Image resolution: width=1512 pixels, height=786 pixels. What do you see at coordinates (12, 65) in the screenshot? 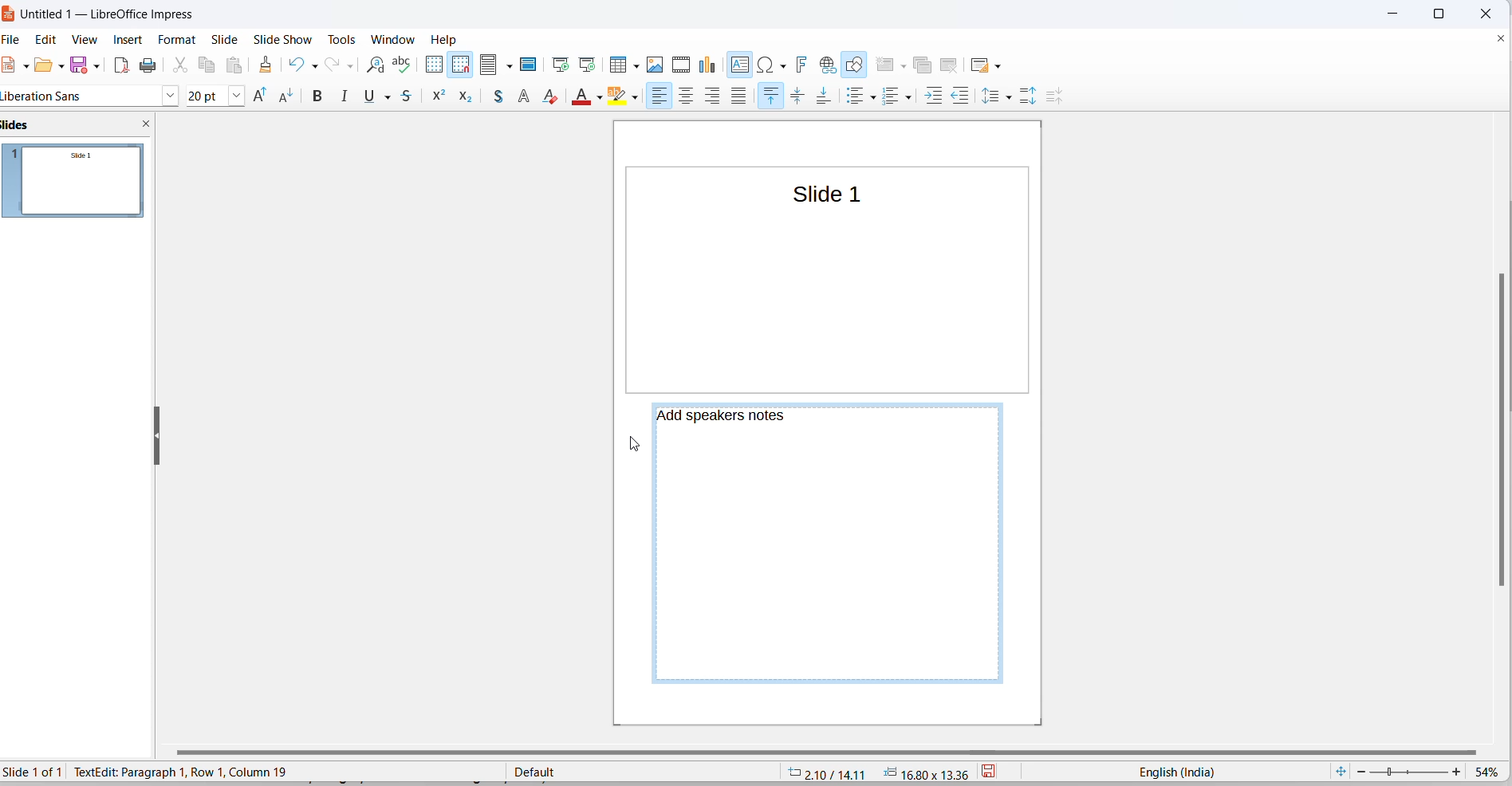
I see `file` at bounding box center [12, 65].